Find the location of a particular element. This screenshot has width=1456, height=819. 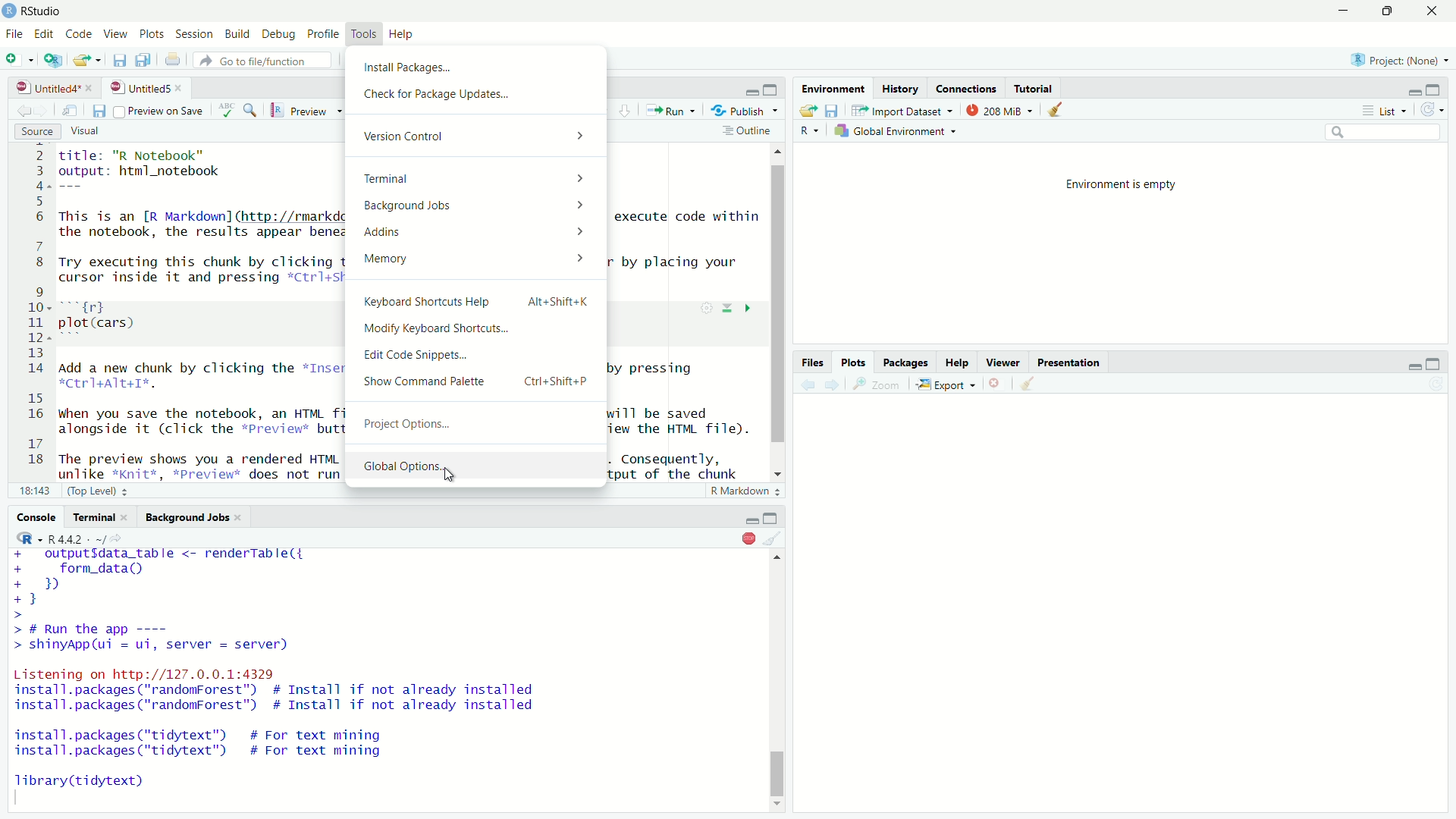

Keyboard Shortcuts Help Alt+Shift+K is located at coordinates (478, 300).